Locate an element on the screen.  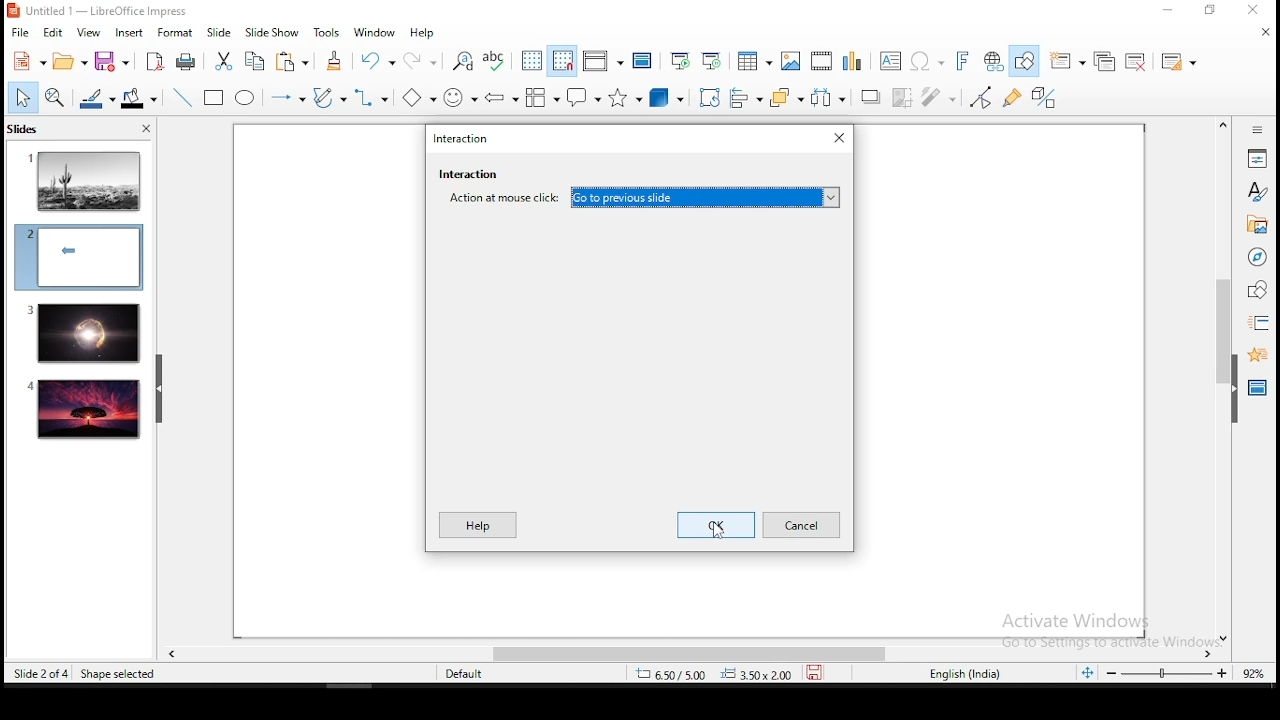
paste is located at coordinates (295, 61).